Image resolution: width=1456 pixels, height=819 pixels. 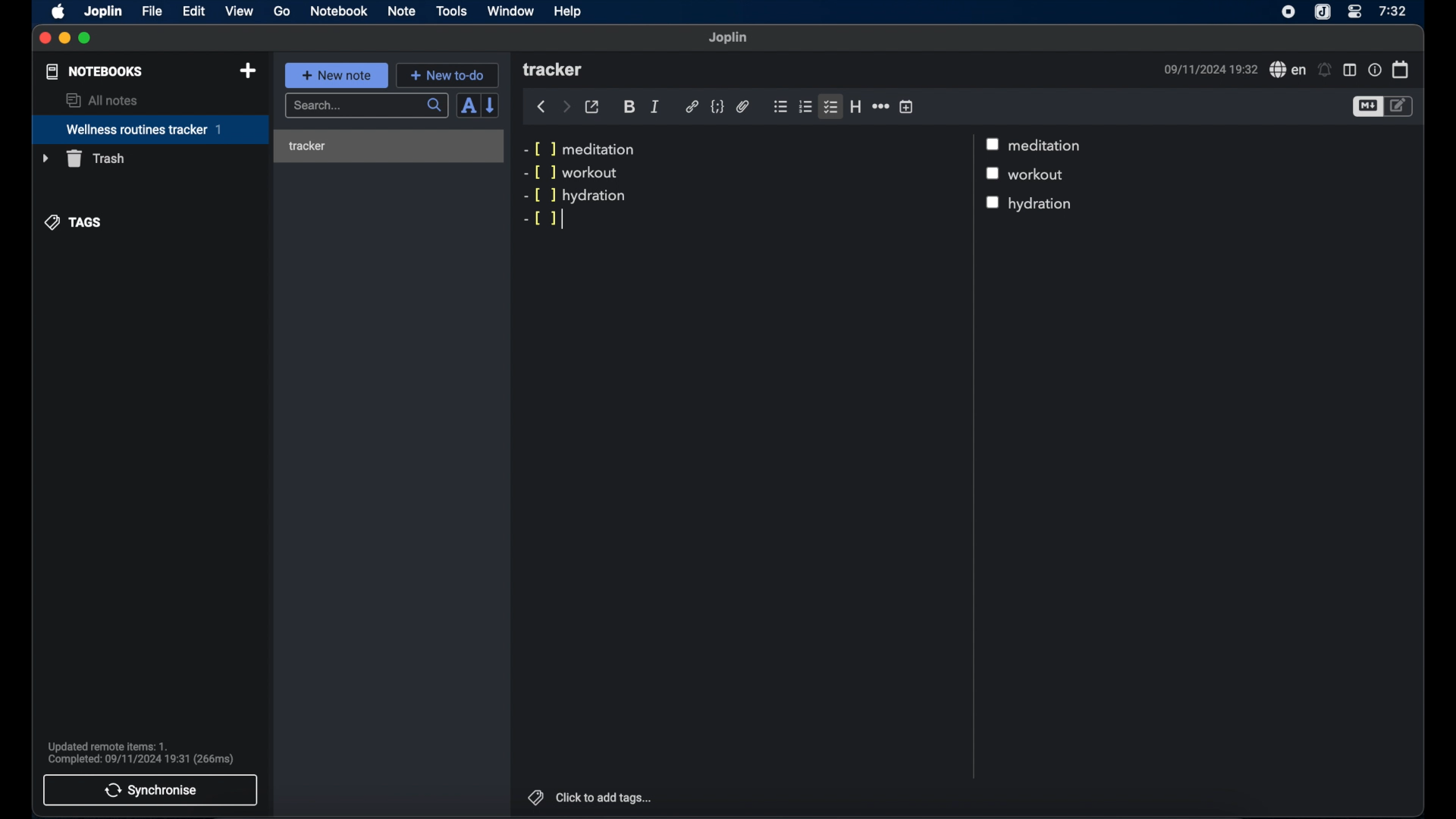 I want to click on numbered list, so click(x=806, y=107).